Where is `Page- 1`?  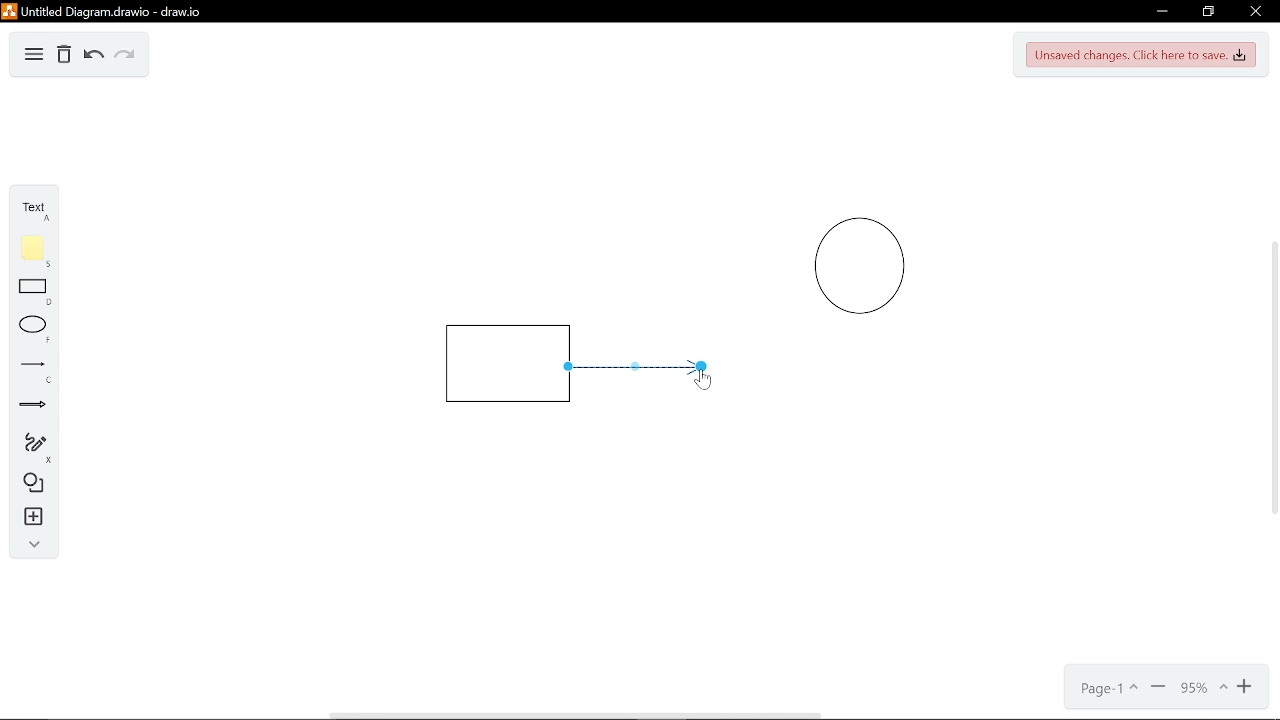
Page- 1 is located at coordinates (1107, 690).